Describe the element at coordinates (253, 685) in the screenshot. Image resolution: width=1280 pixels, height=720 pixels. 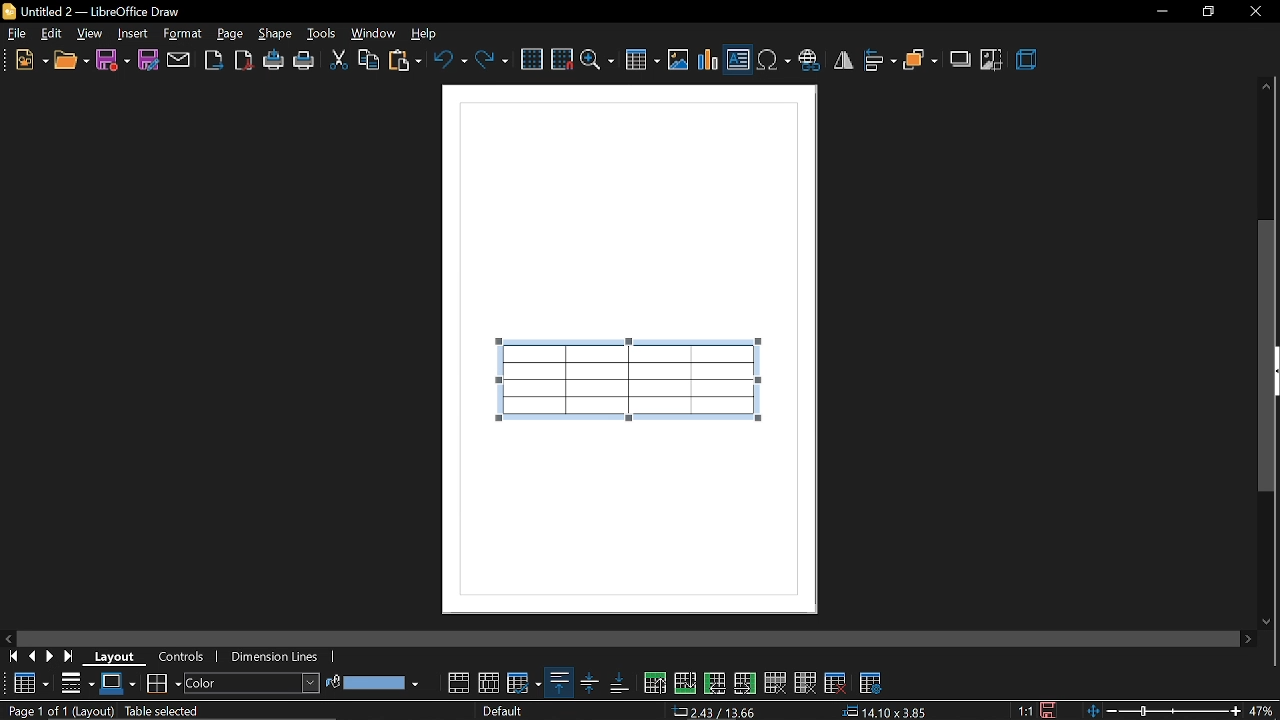
I see `area style` at that location.